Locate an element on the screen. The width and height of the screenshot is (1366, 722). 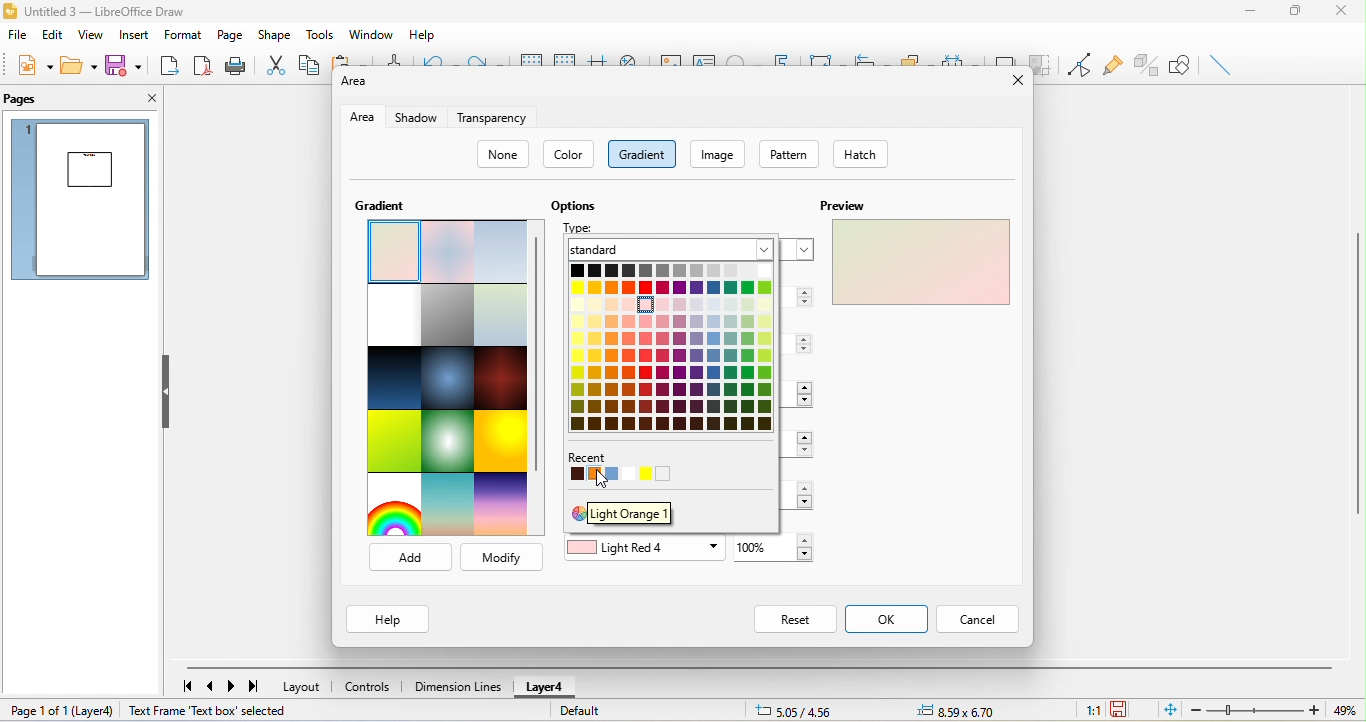
reset is located at coordinates (794, 618).